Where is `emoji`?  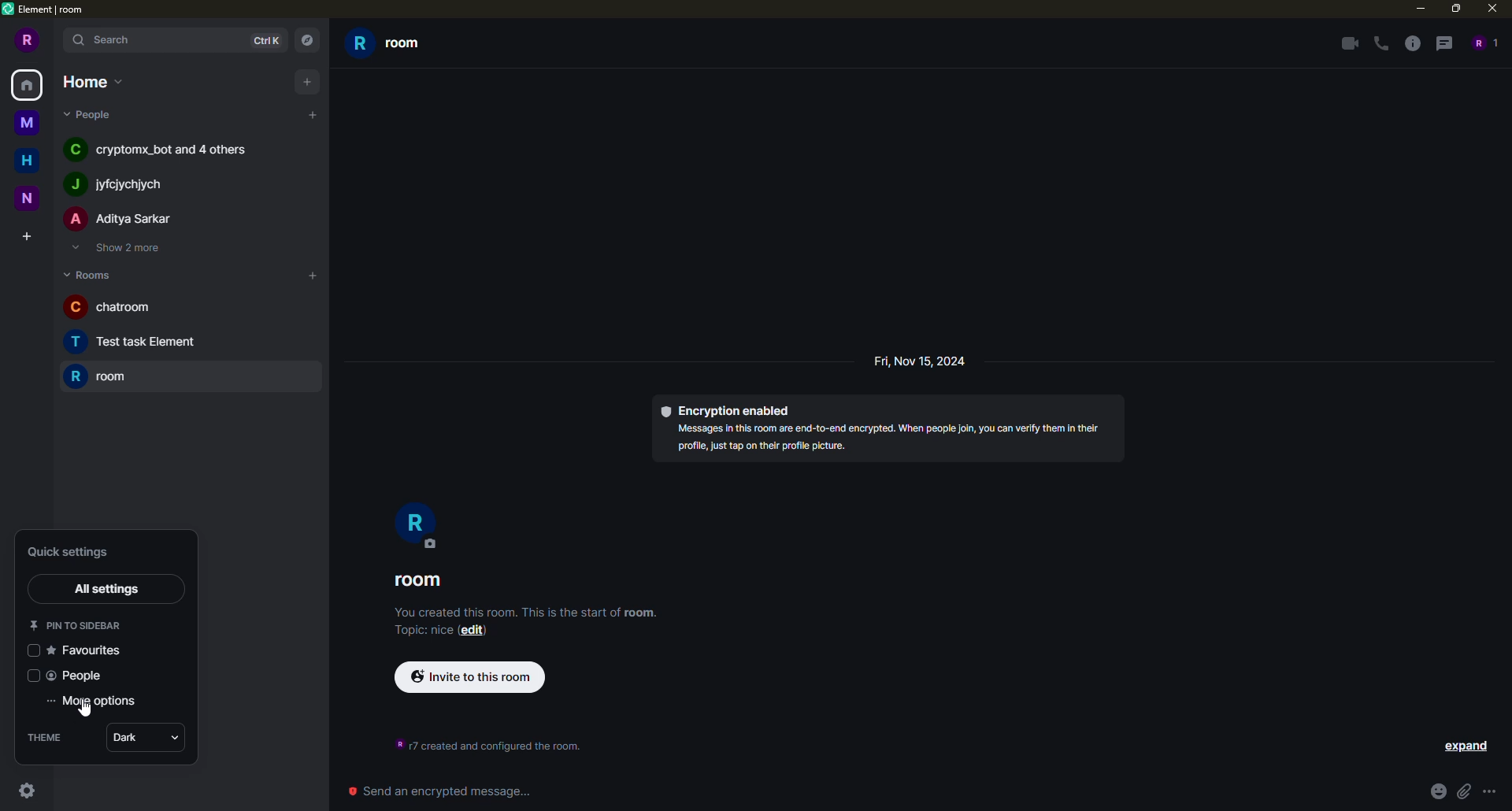 emoji is located at coordinates (1435, 791).